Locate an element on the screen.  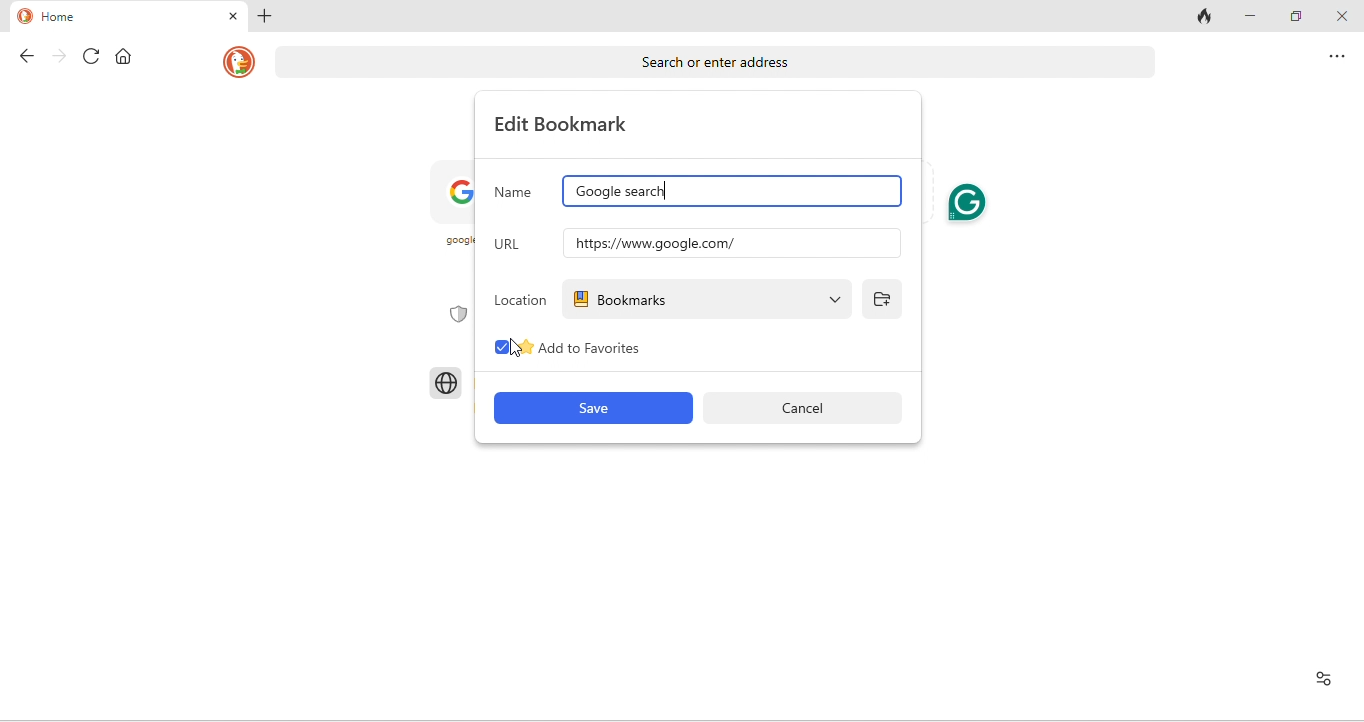
add to favorites is located at coordinates (624, 350).